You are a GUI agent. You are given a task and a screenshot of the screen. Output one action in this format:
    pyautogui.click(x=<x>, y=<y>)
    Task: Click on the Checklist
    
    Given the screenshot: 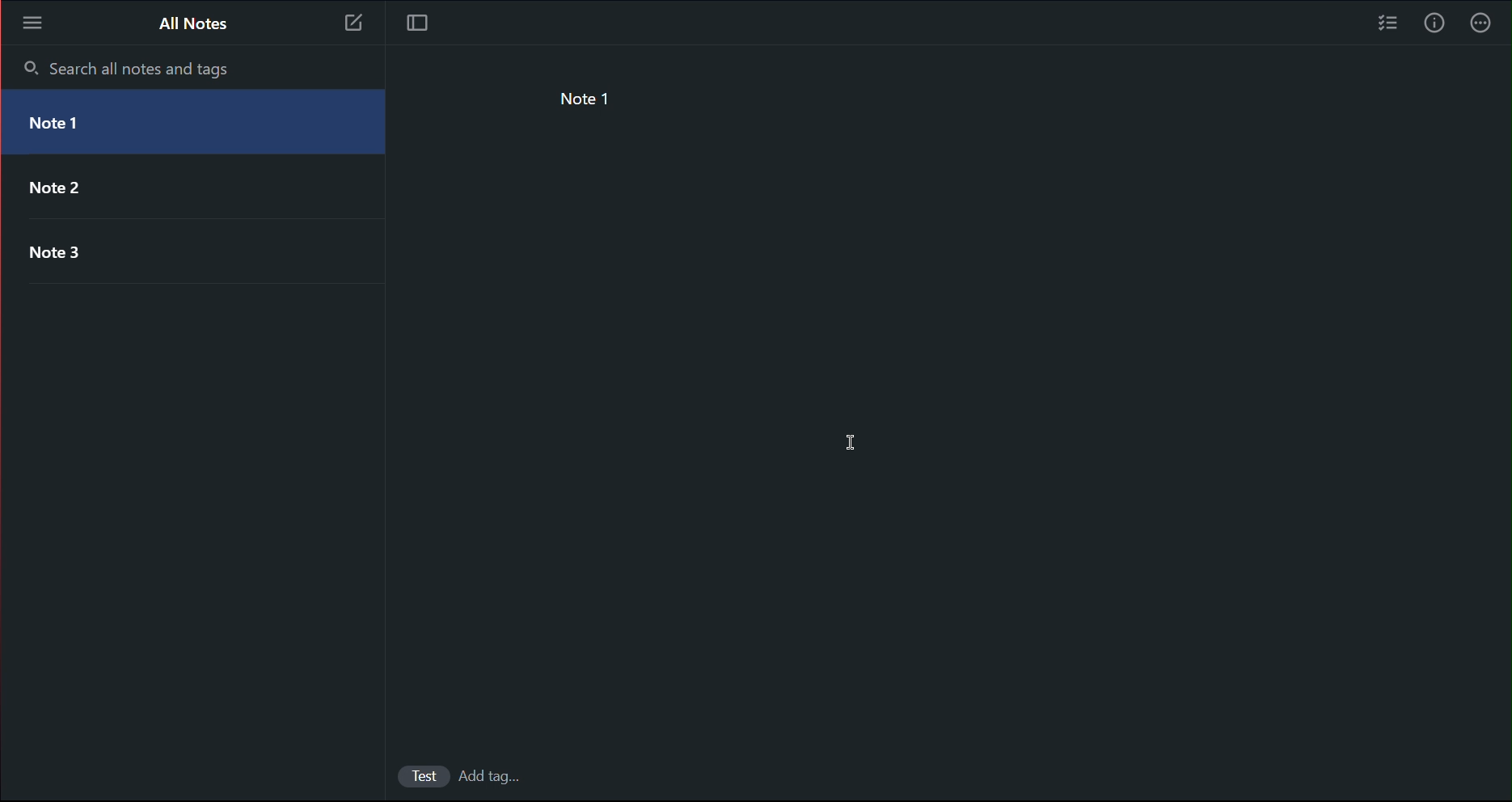 What is the action you would take?
    pyautogui.click(x=1383, y=23)
    